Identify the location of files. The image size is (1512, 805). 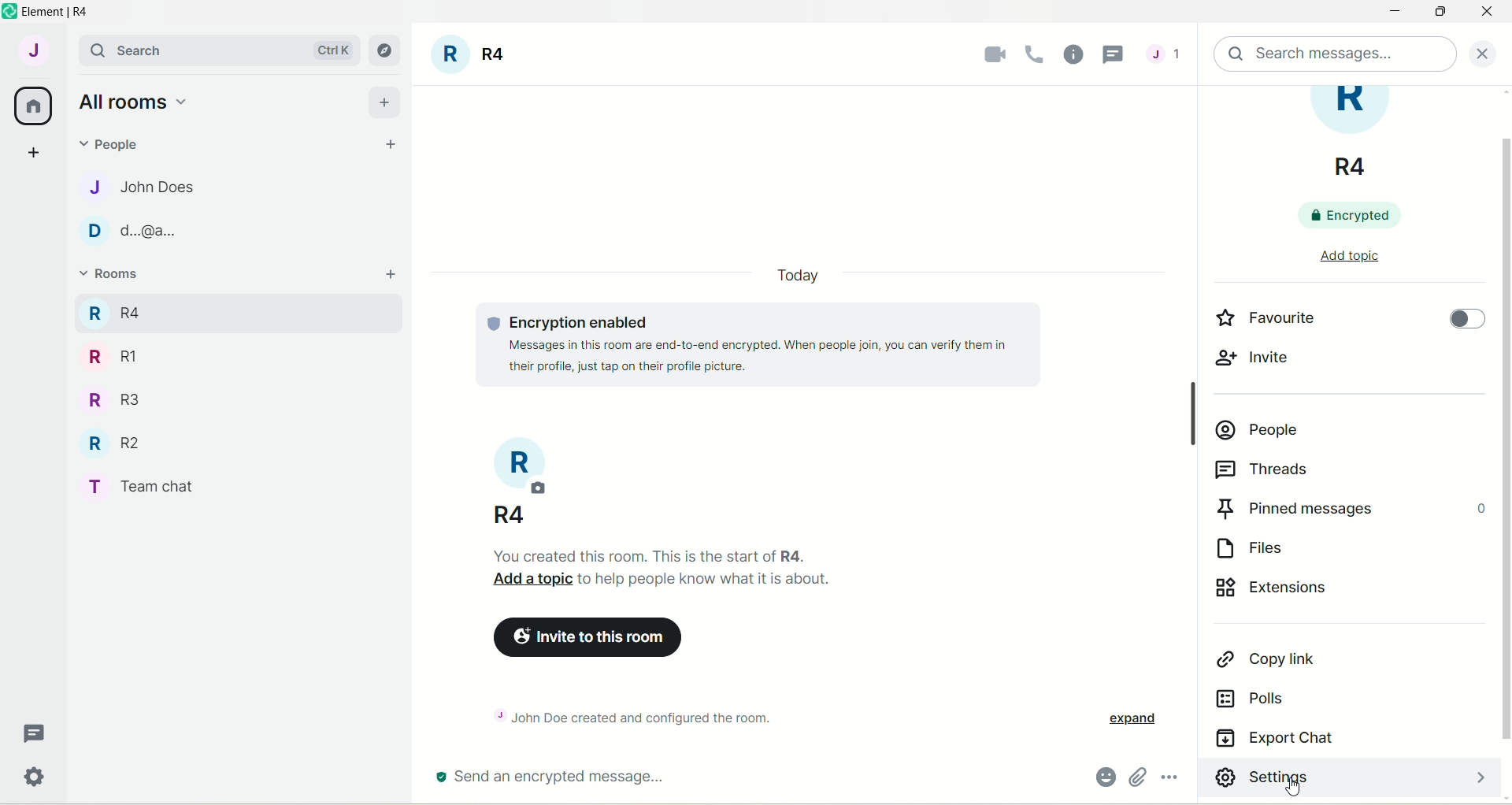
(1262, 545).